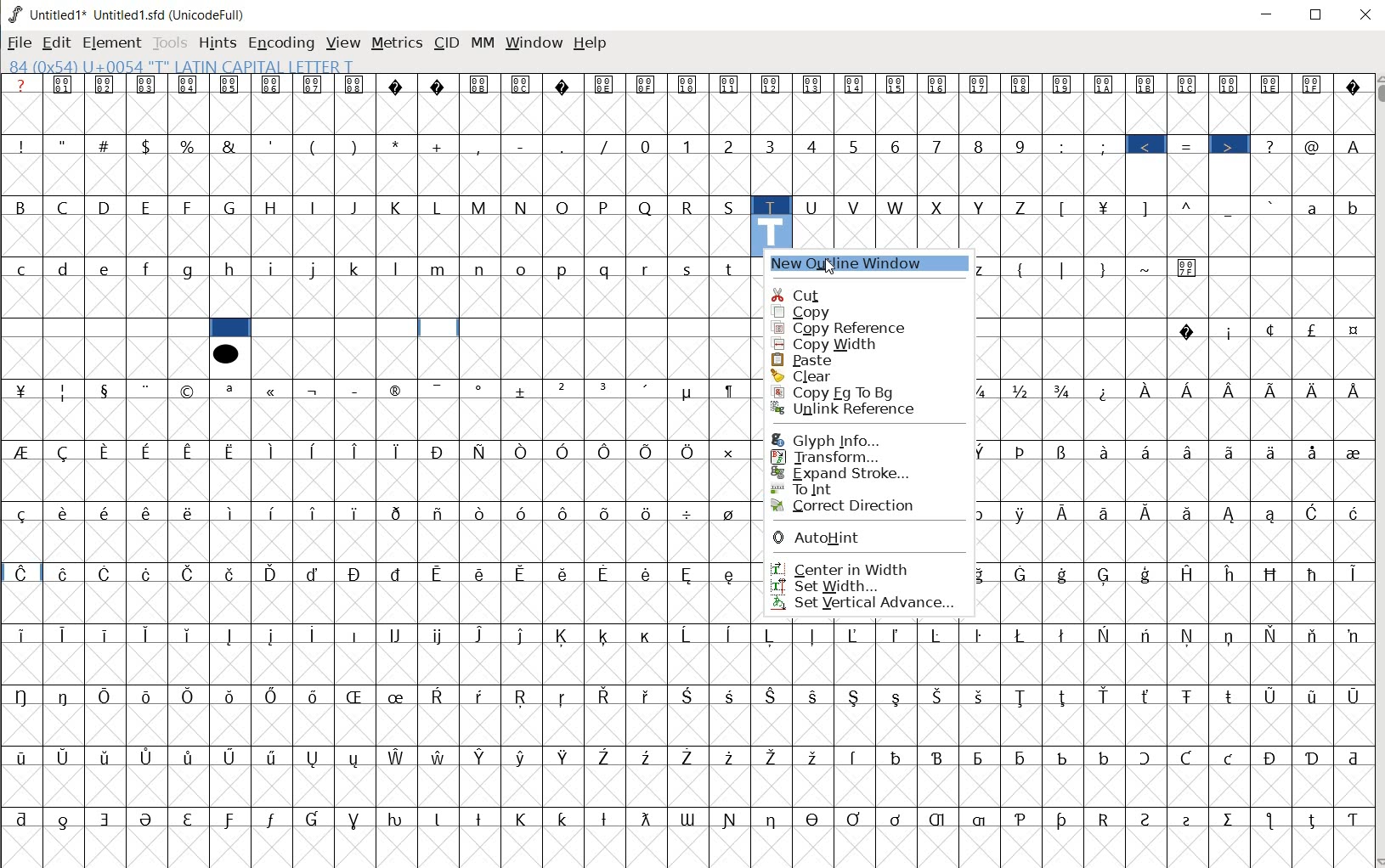 The width and height of the screenshot is (1385, 868). What do you see at coordinates (732, 757) in the screenshot?
I see `Symbol` at bounding box center [732, 757].